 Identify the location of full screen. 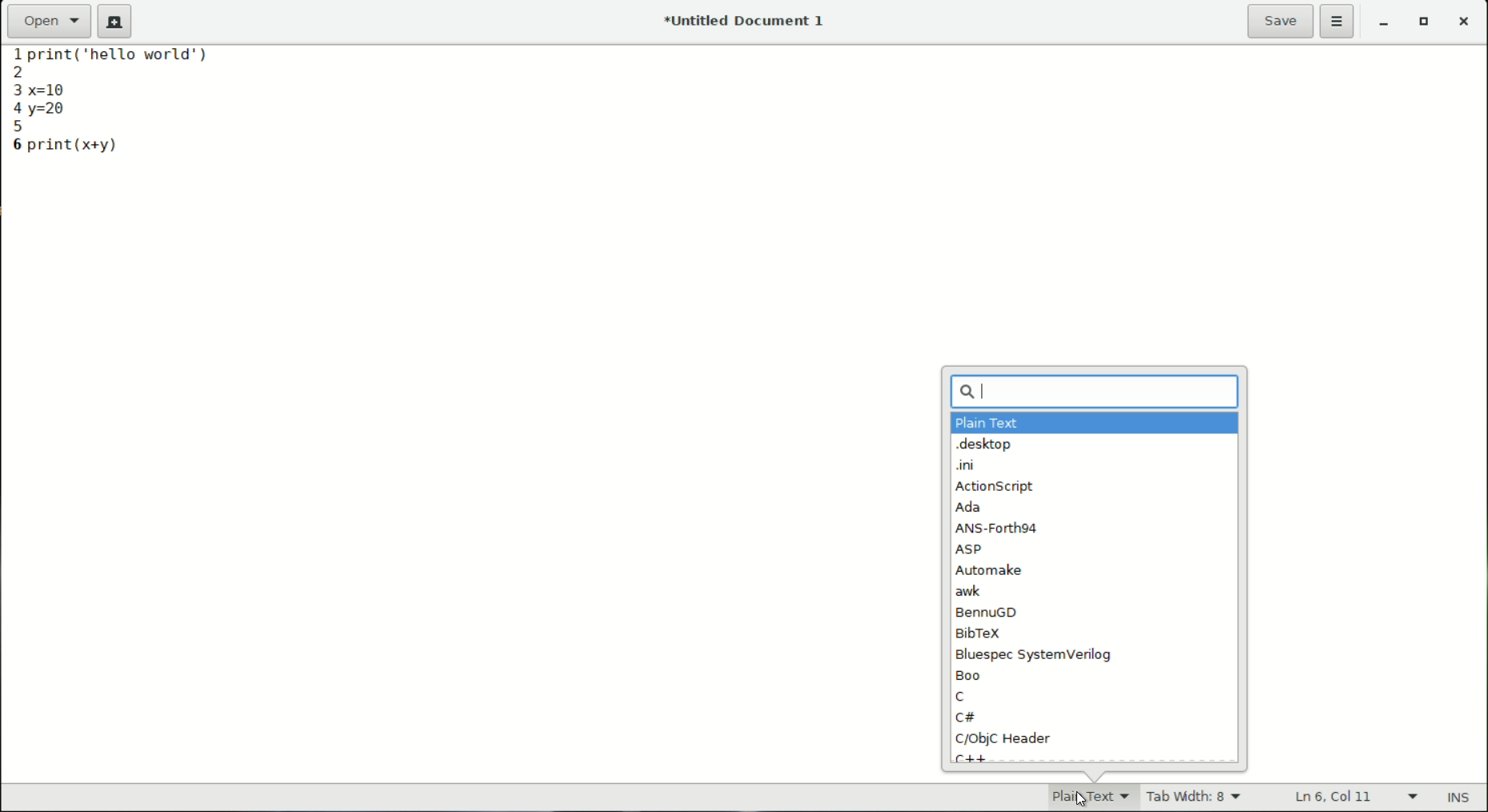
(1426, 24).